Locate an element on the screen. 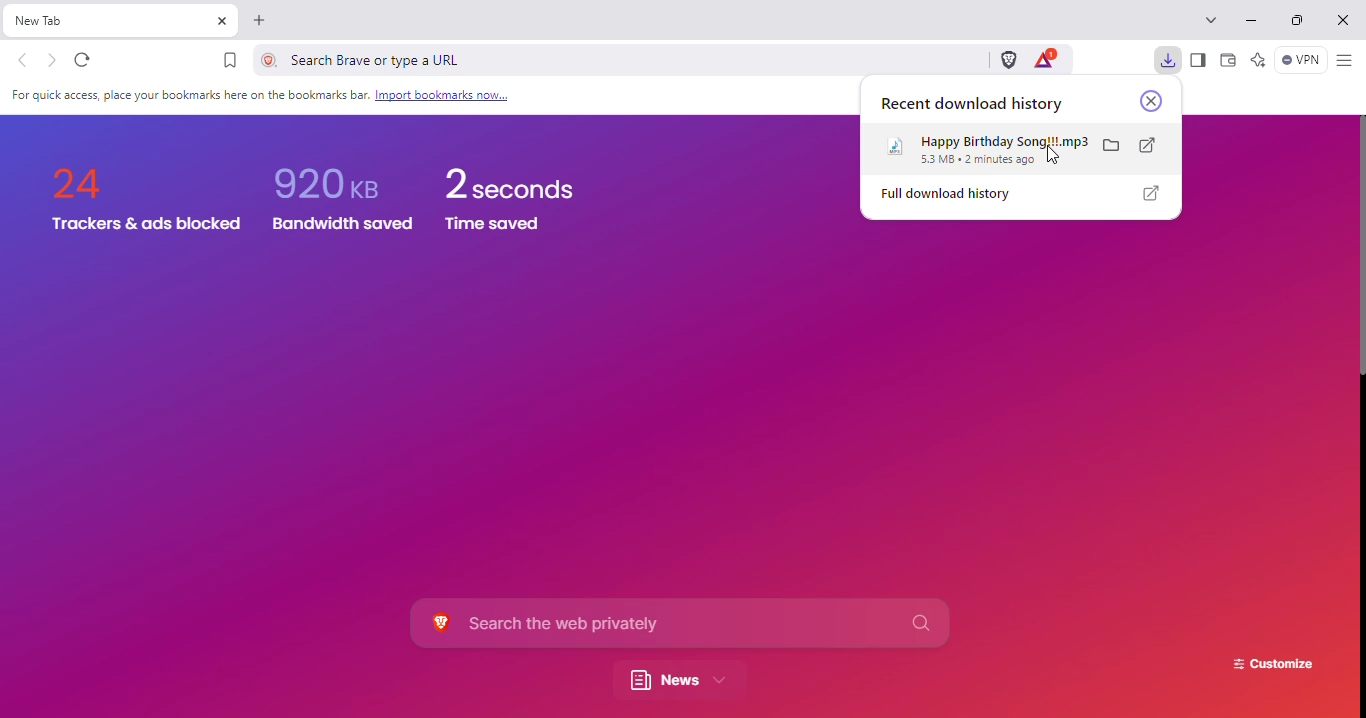 This screenshot has height=718, width=1366. close tab is located at coordinates (222, 21).